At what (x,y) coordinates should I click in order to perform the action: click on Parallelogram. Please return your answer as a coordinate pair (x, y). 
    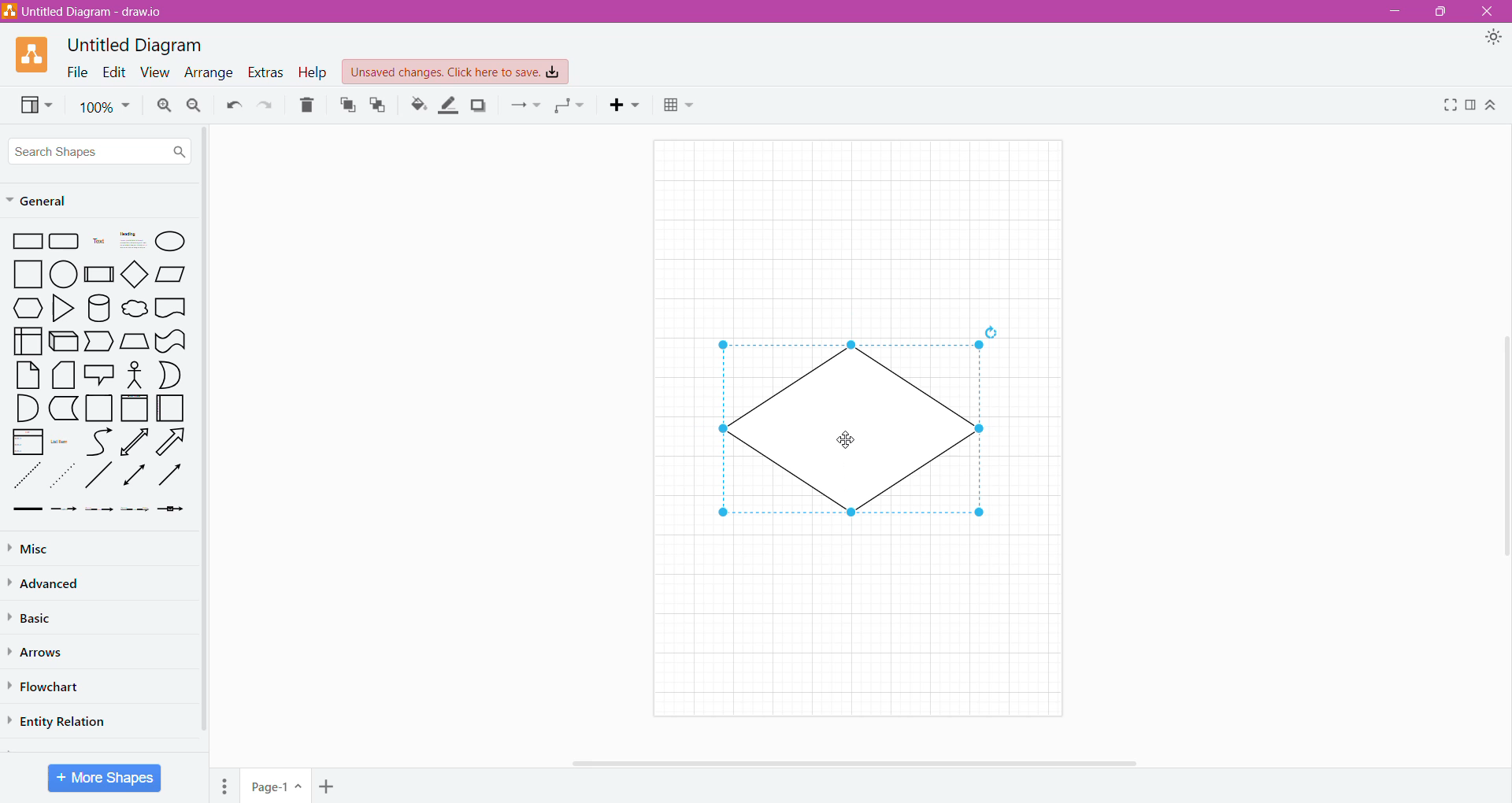
    Looking at the image, I should click on (172, 274).